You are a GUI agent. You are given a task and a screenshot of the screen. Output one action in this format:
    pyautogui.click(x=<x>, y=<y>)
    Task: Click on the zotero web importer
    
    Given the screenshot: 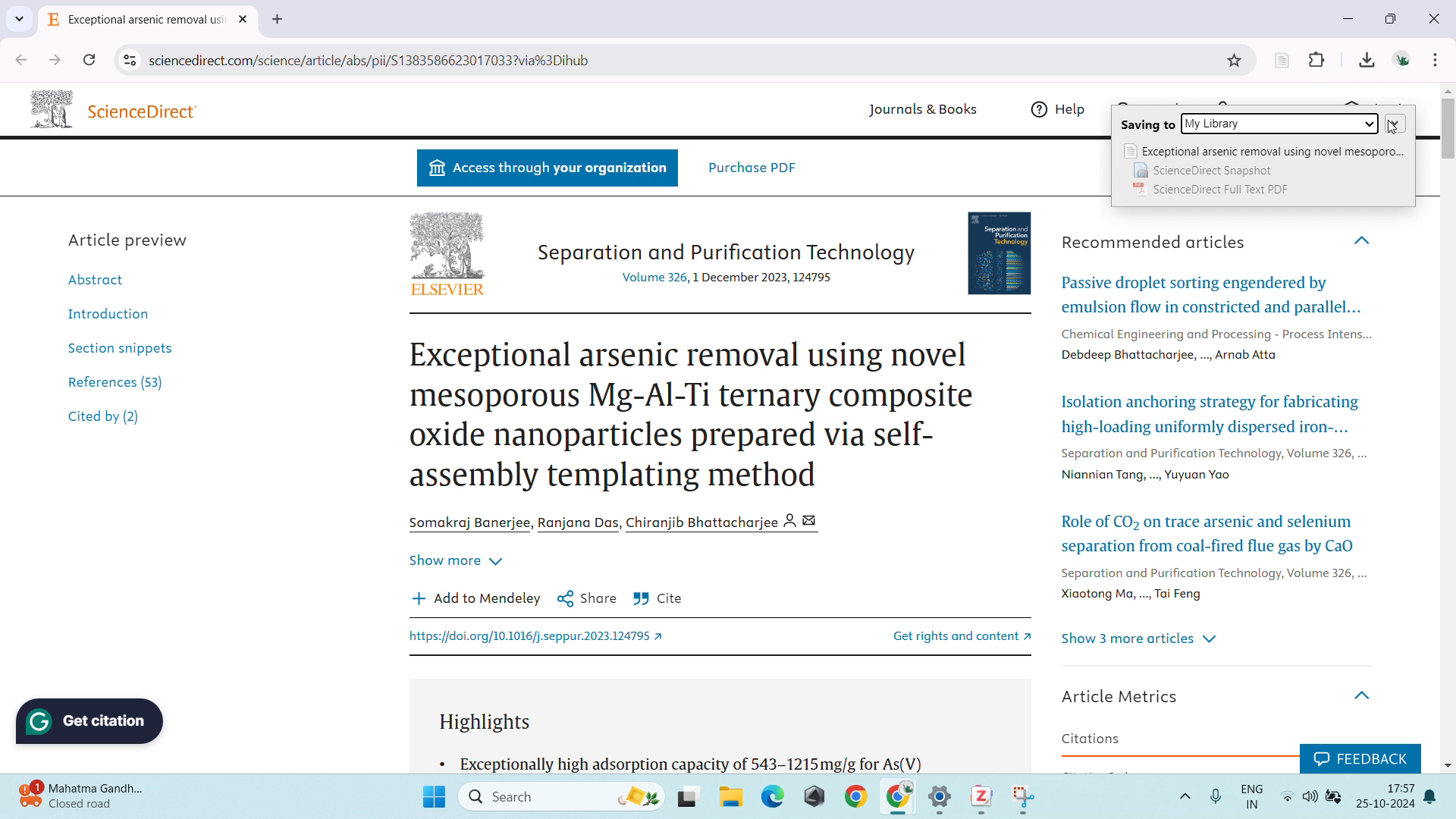 What is the action you would take?
    pyautogui.click(x=1282, y=59)
    